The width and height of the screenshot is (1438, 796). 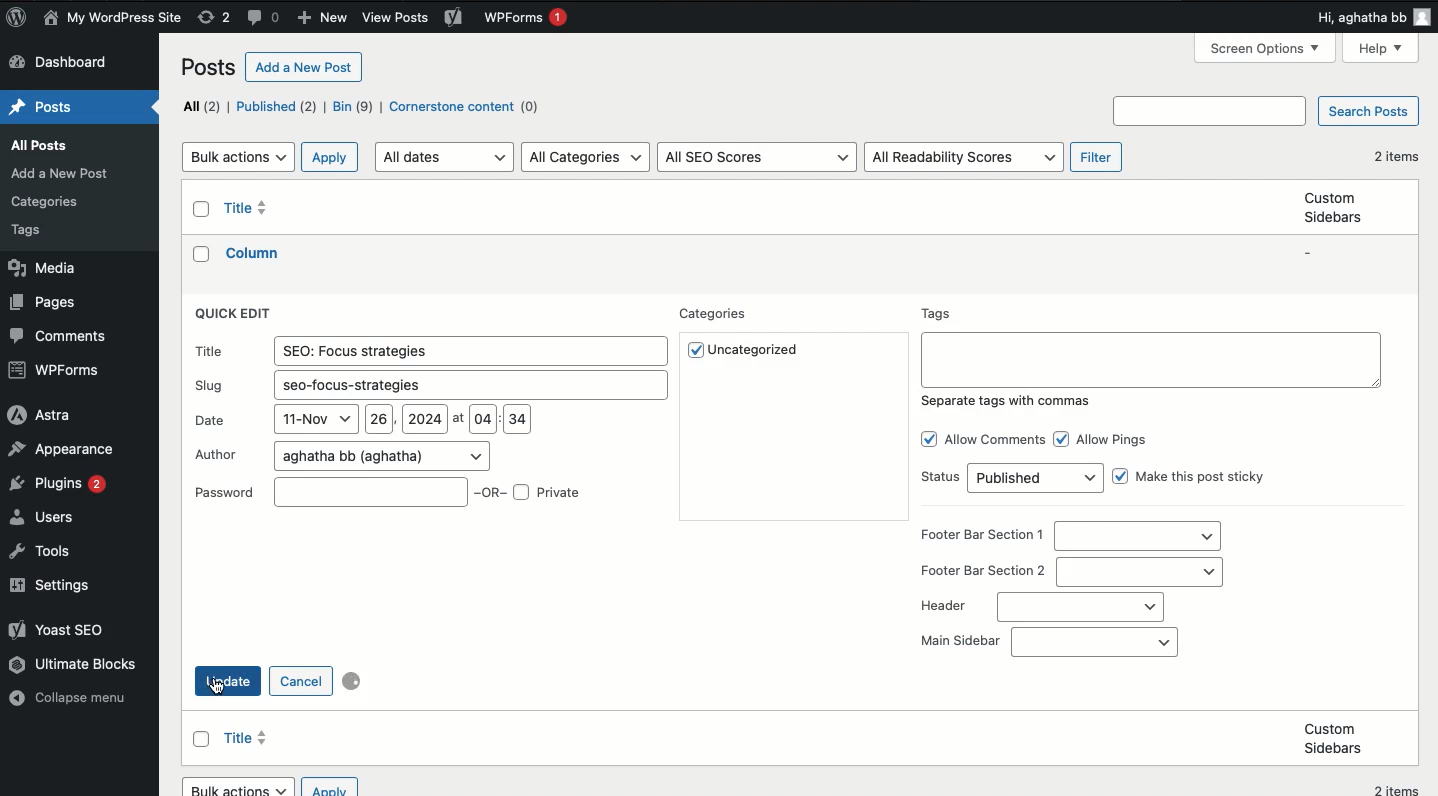 What do you see at coordinates (587, 157) in the screenshot?
I see `All categories` at bounding box center [587, 157].